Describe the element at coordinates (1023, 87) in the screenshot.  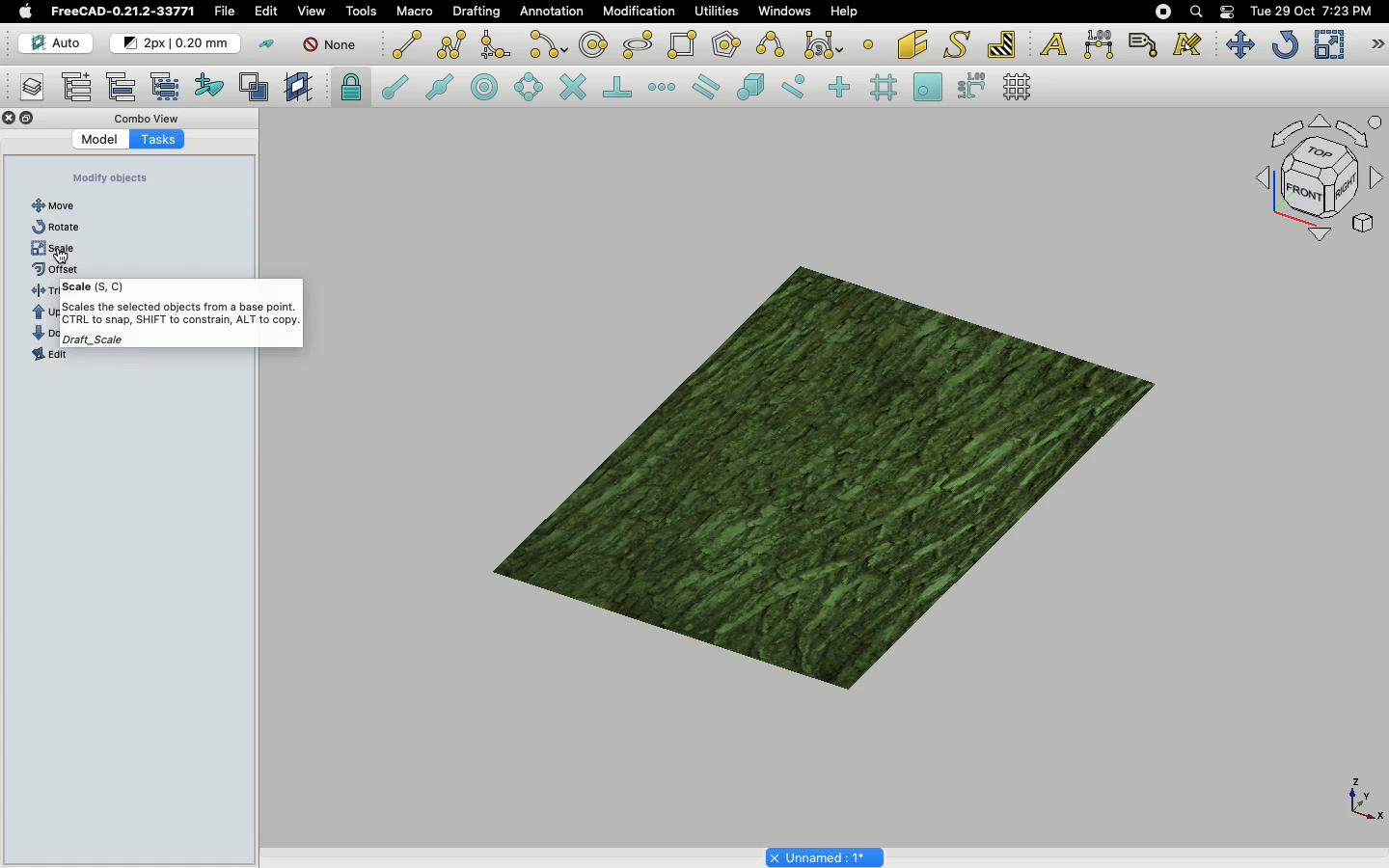
I see `Toggle grid` at that location.